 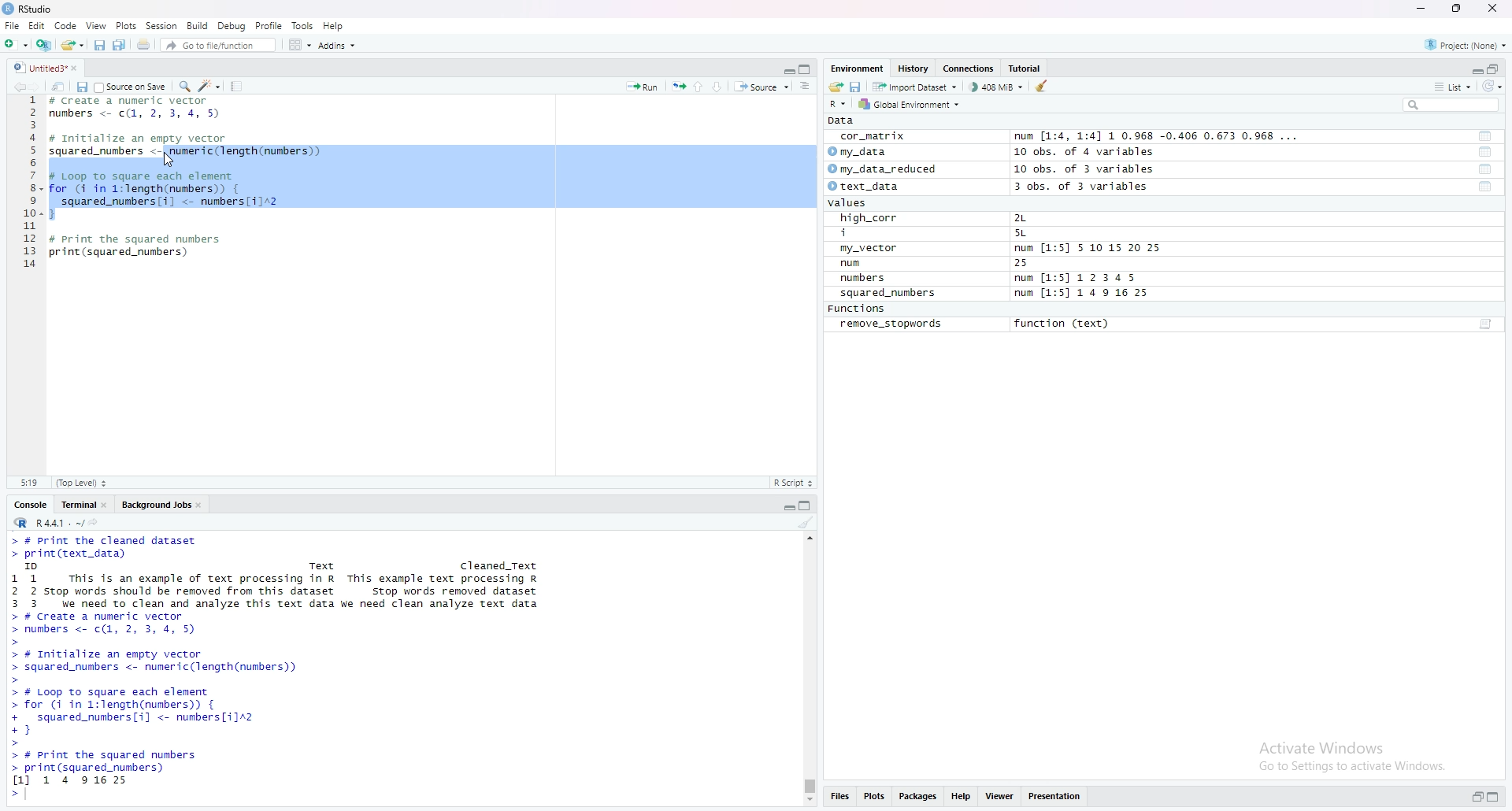 I want to click on clear objects, so click(x=1043, y=86).